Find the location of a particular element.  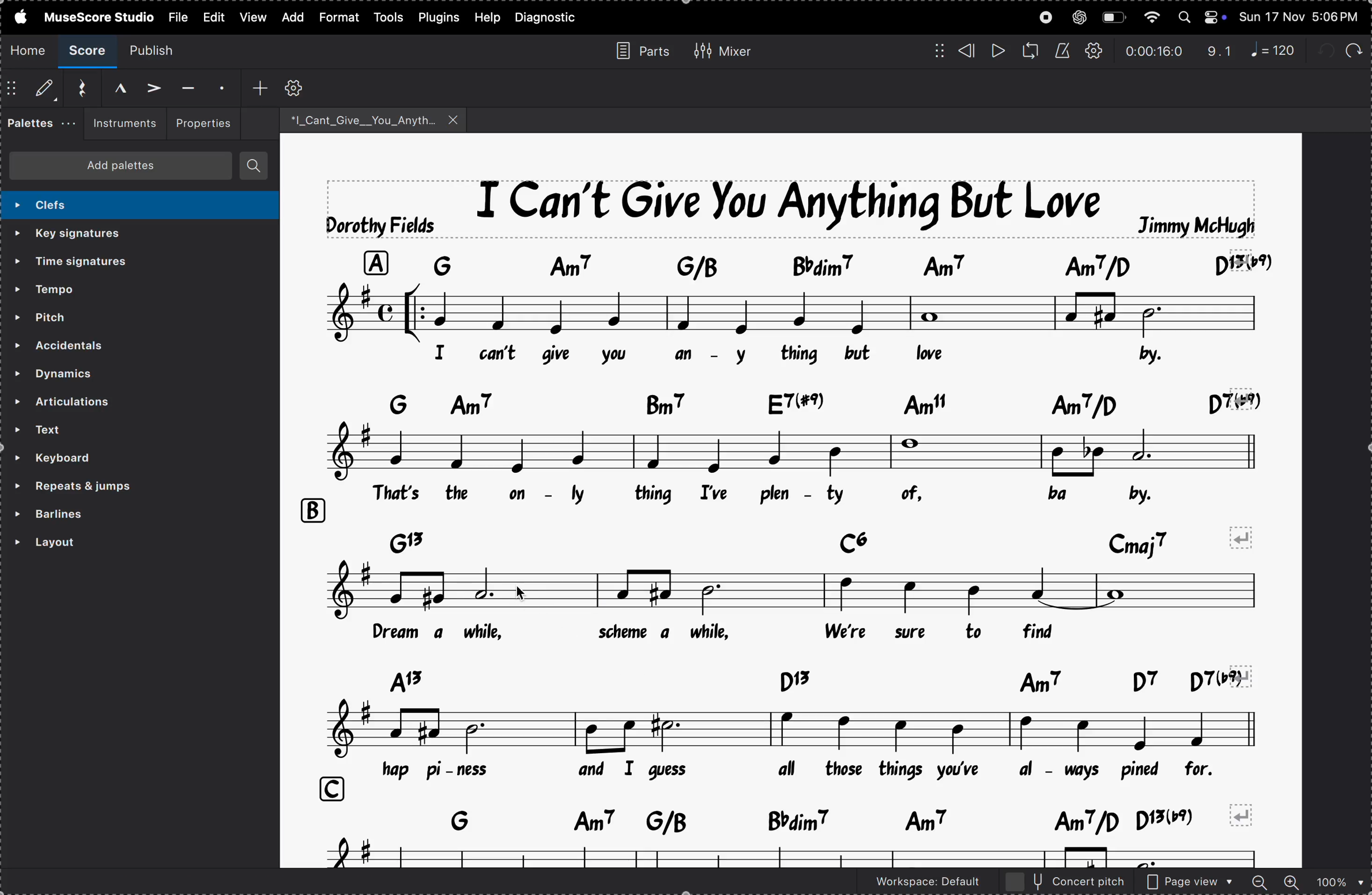

wifi is located at coordinates (1150, 18).